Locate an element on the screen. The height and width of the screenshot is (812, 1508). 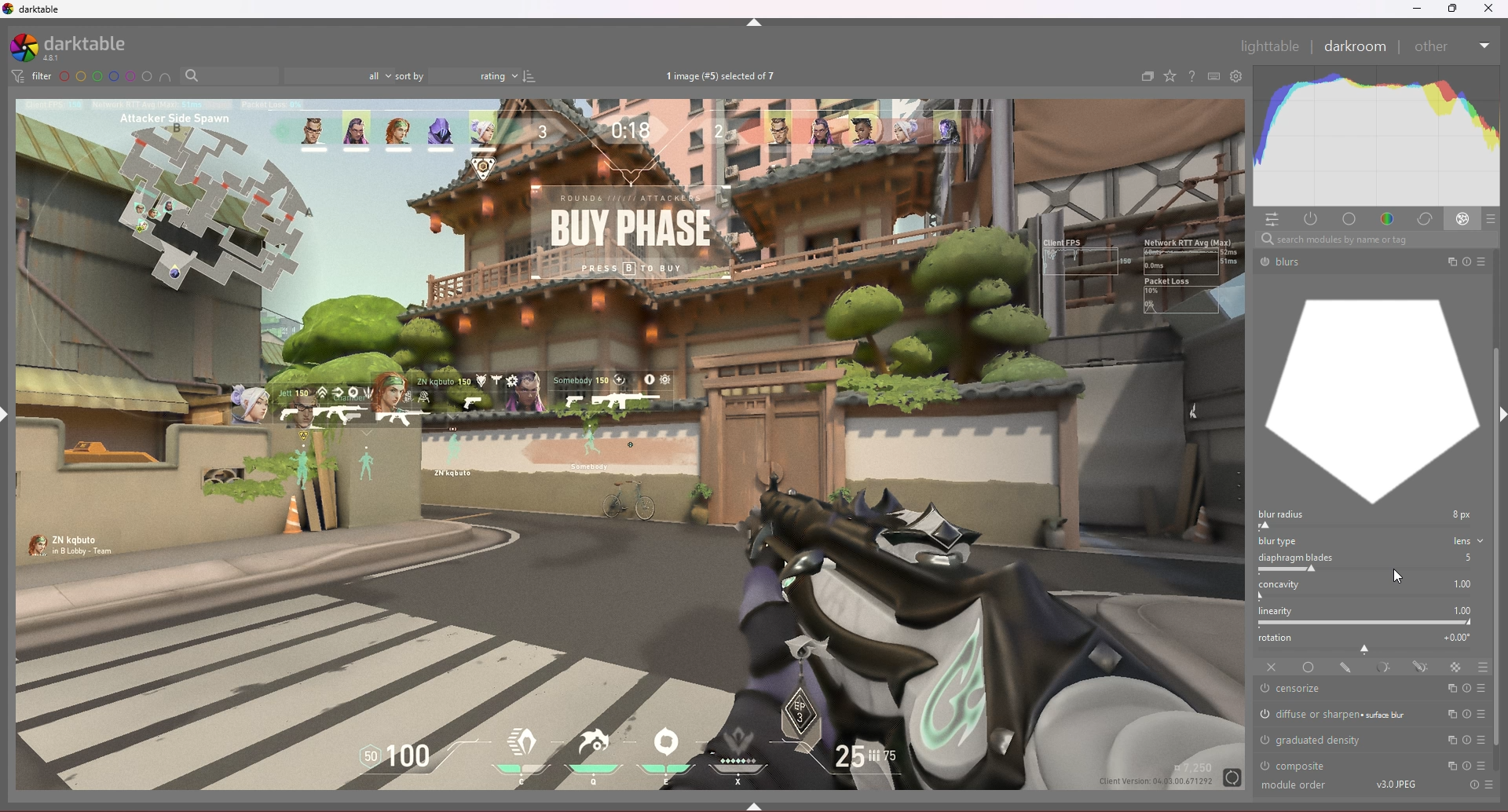
correct is located at coordinates (1424, 219).